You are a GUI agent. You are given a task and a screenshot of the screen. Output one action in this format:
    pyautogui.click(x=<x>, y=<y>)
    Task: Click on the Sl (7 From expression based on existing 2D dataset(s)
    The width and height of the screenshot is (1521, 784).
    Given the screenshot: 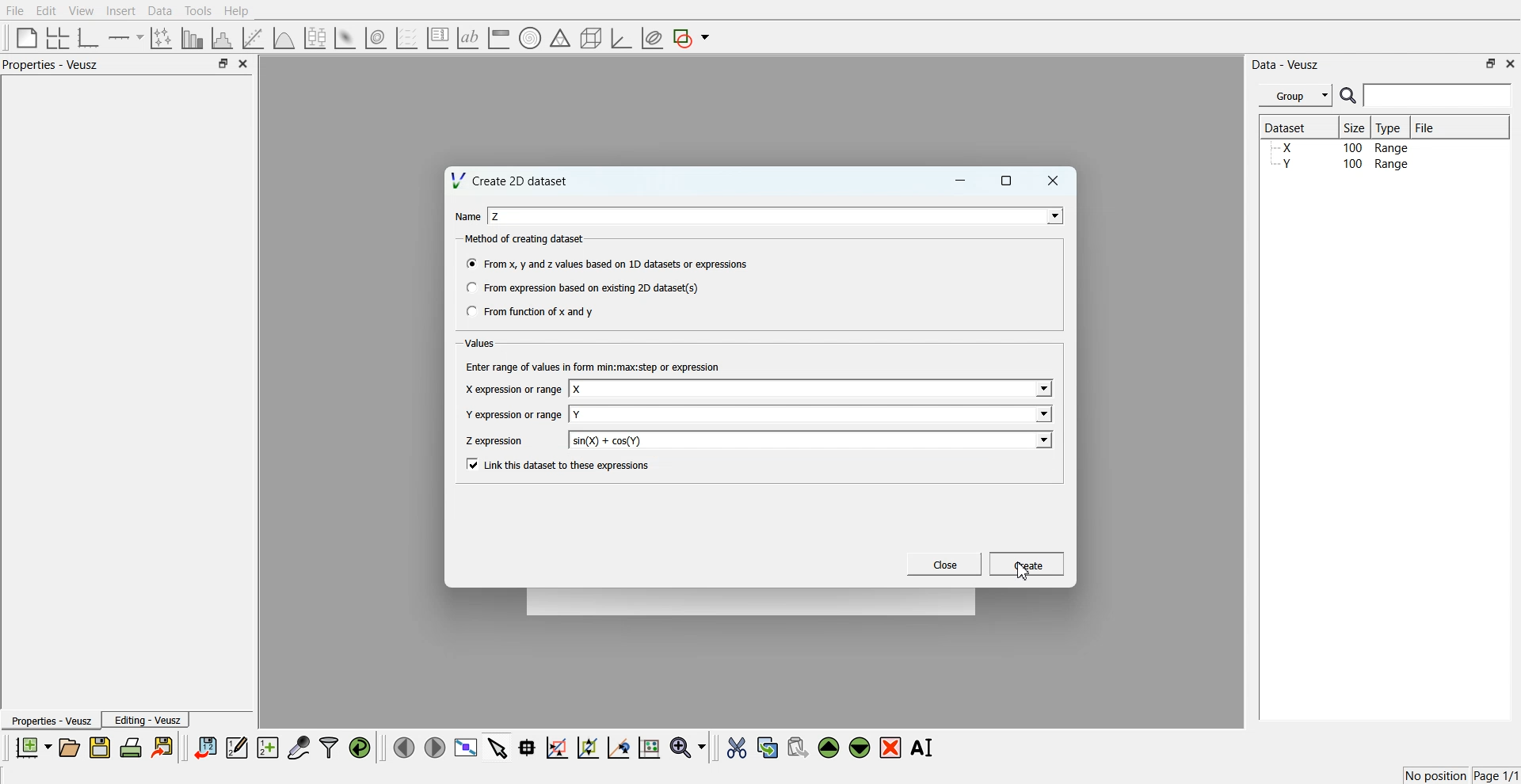 What is the action you would take?
    pyautogui.click(x=581, y=287)
    